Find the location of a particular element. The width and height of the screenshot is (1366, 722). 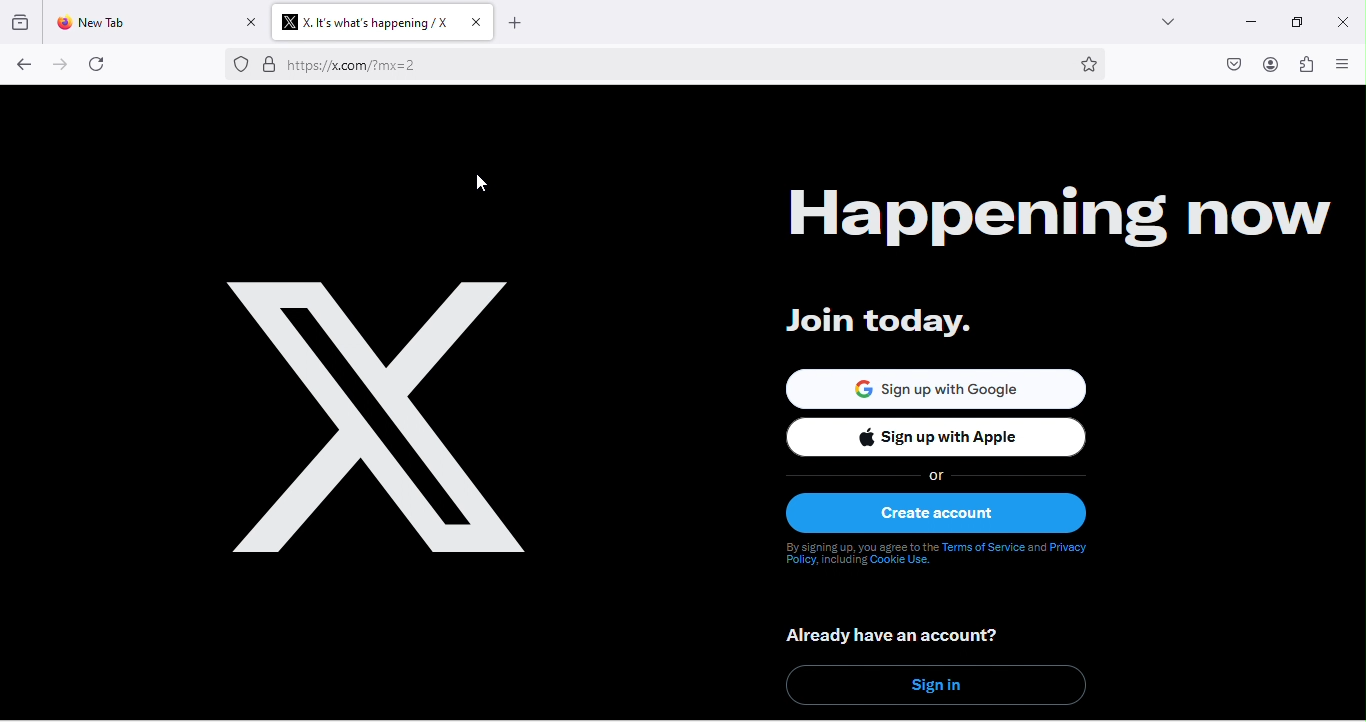

happening now logo is located at coordinates (385, 419).